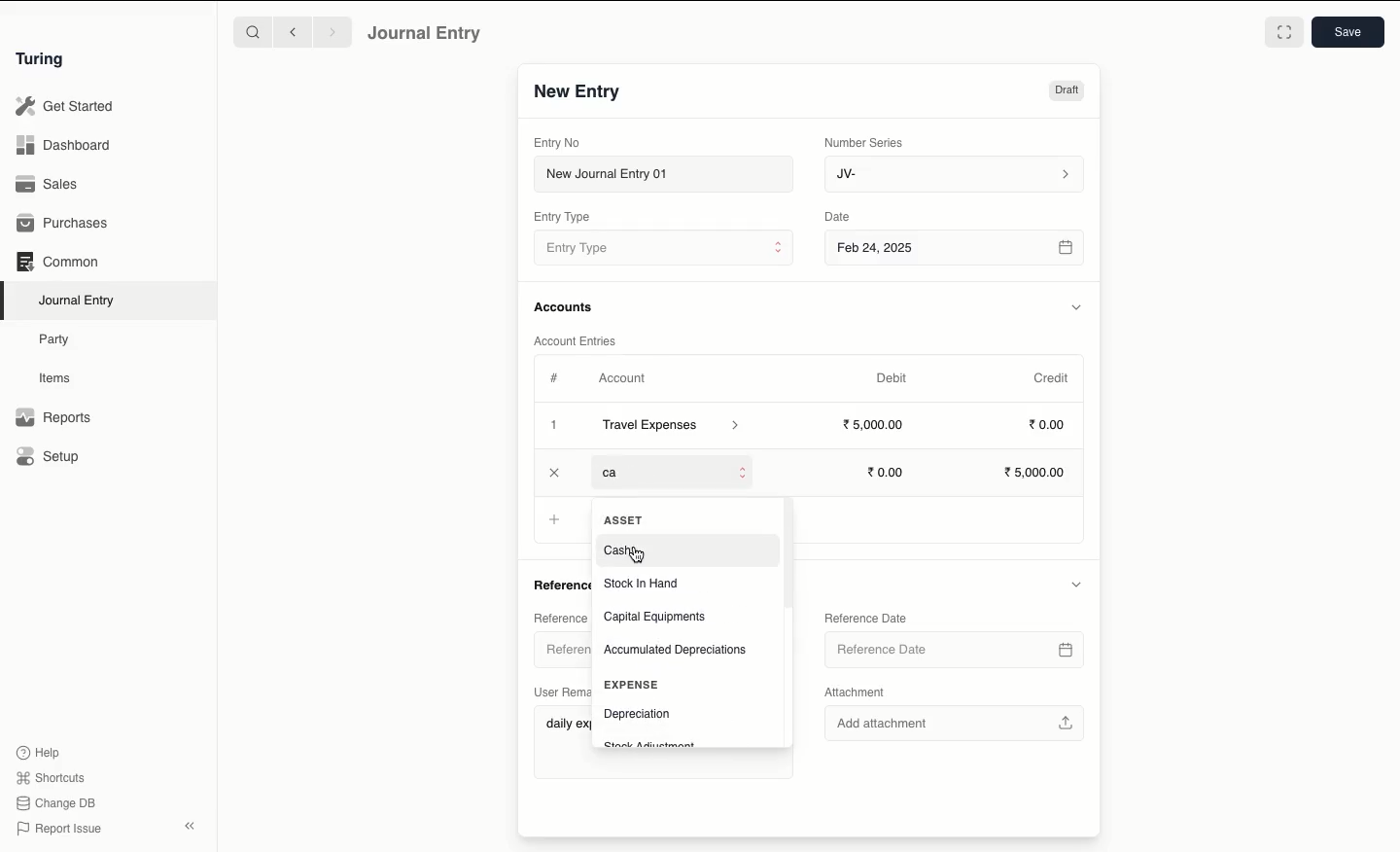 This screenshot has width=1400, height=852. I want to click on Draft, so click(1067, 90).